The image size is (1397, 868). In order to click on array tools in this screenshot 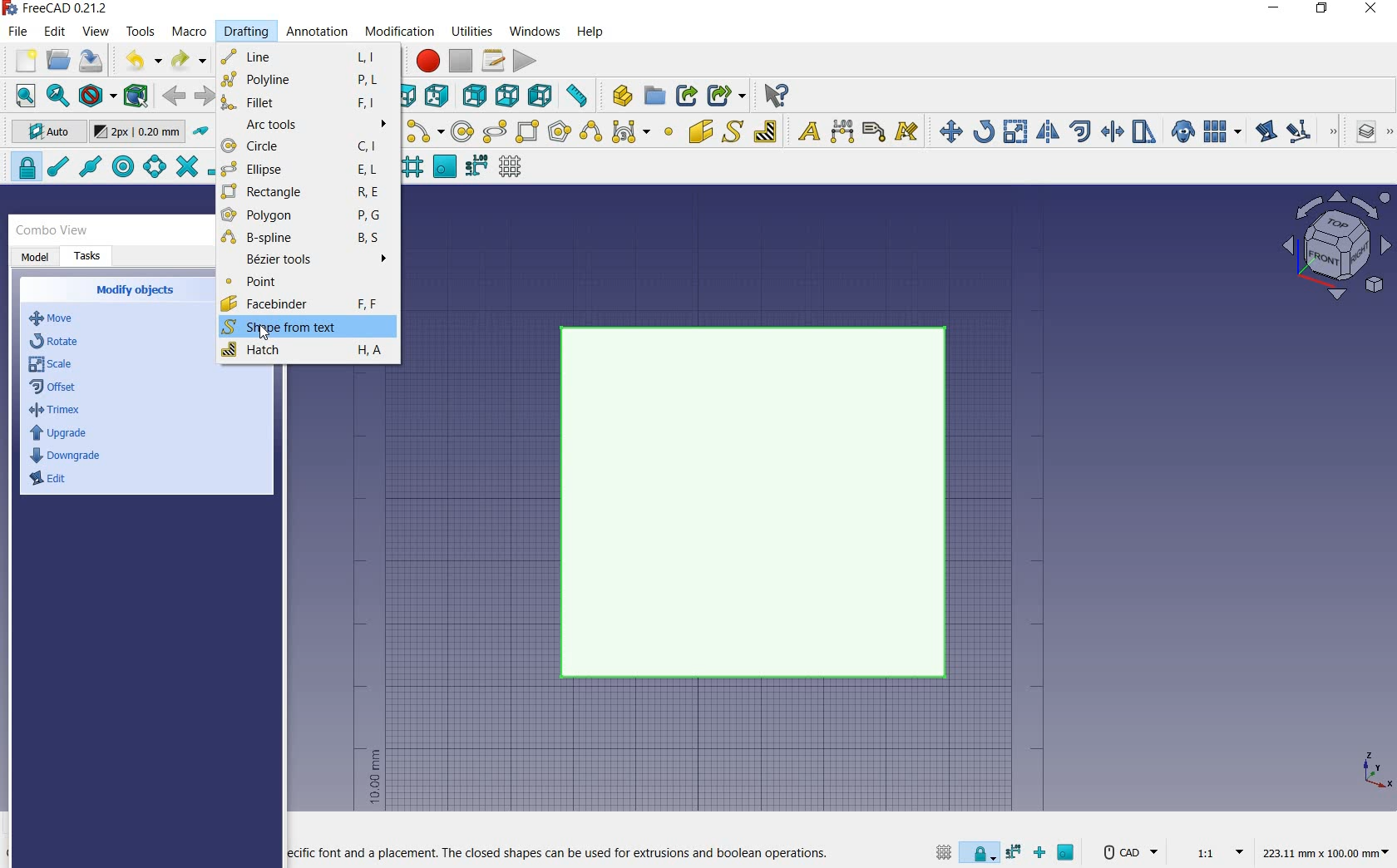, I will do `click(1223, 133)`.